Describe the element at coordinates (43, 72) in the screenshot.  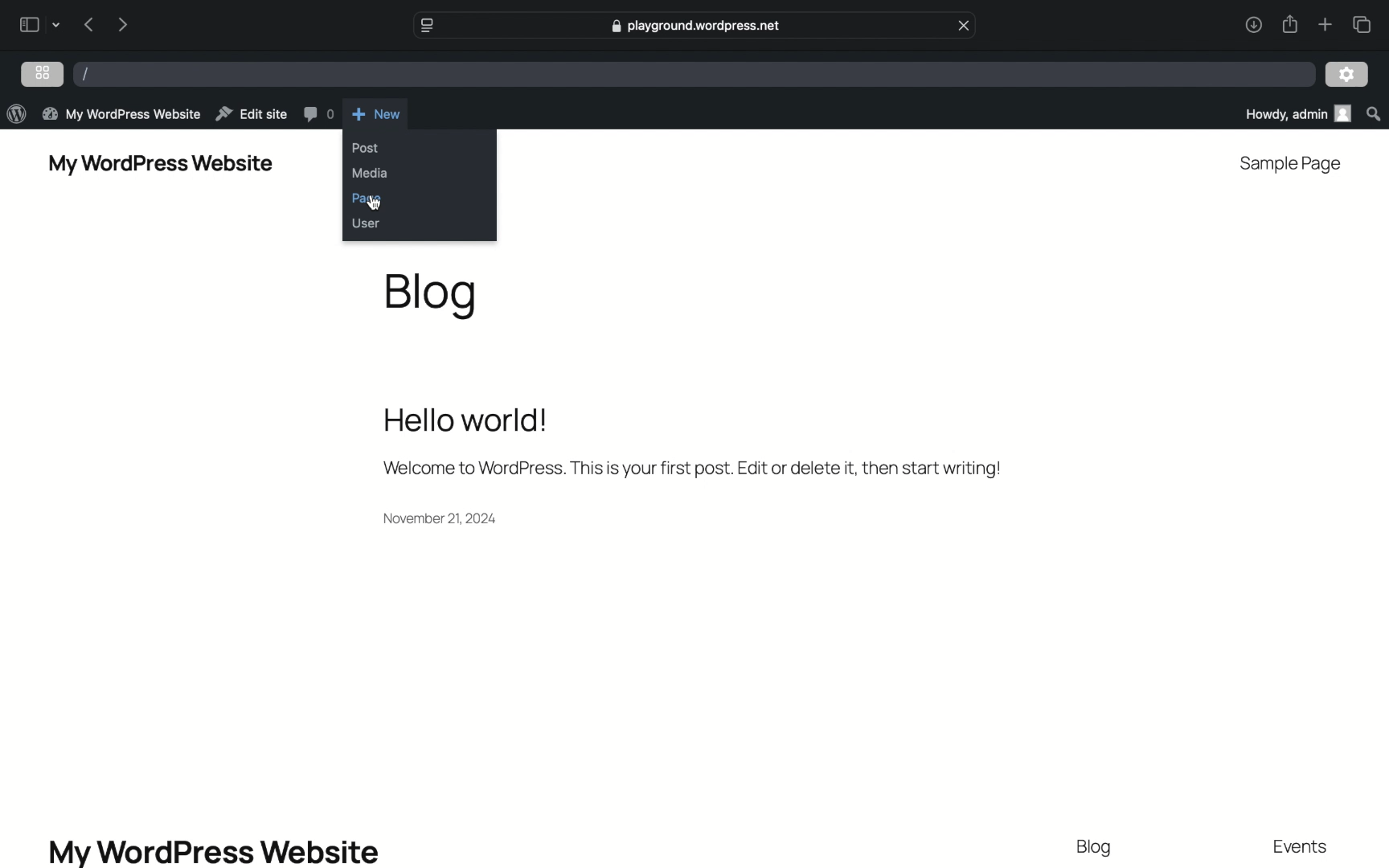
I see `grid  view` at that location.